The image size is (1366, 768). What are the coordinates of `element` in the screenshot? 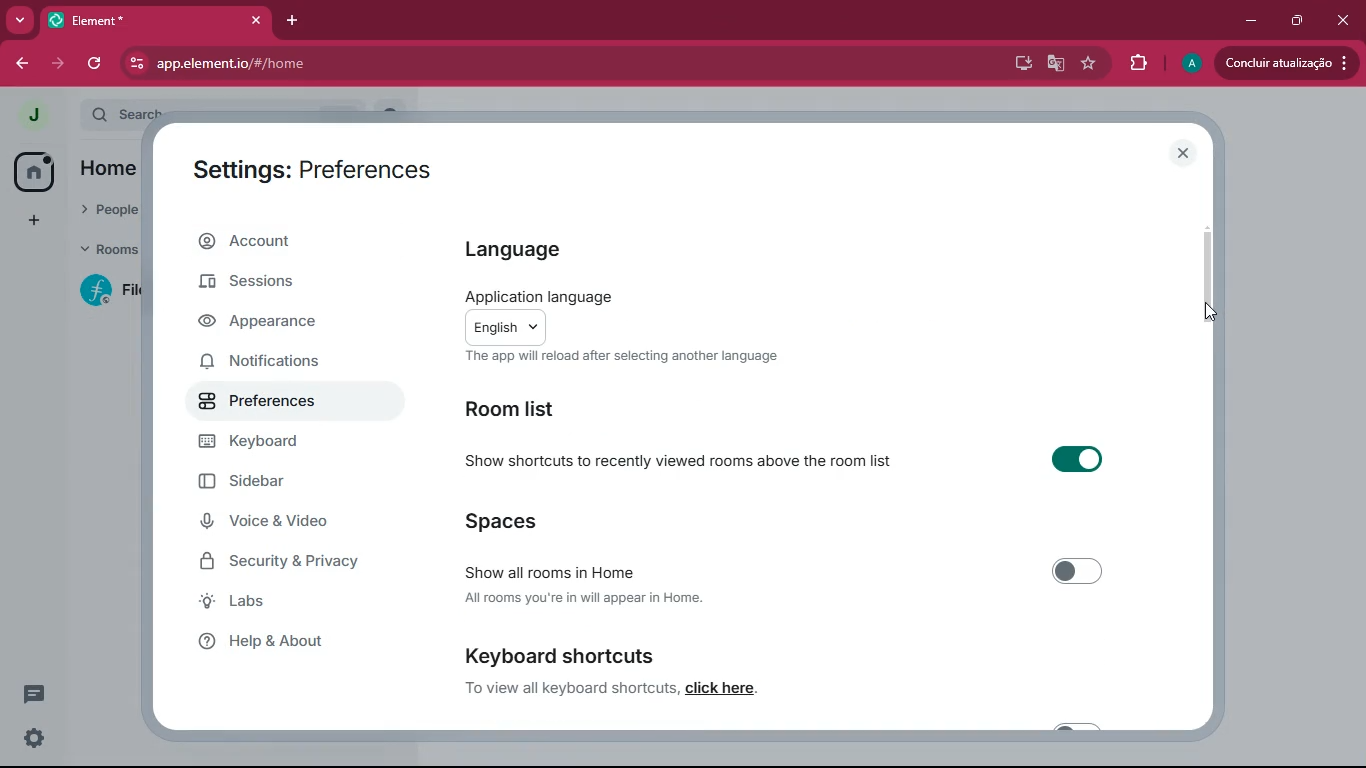 It's located at (159, 20).